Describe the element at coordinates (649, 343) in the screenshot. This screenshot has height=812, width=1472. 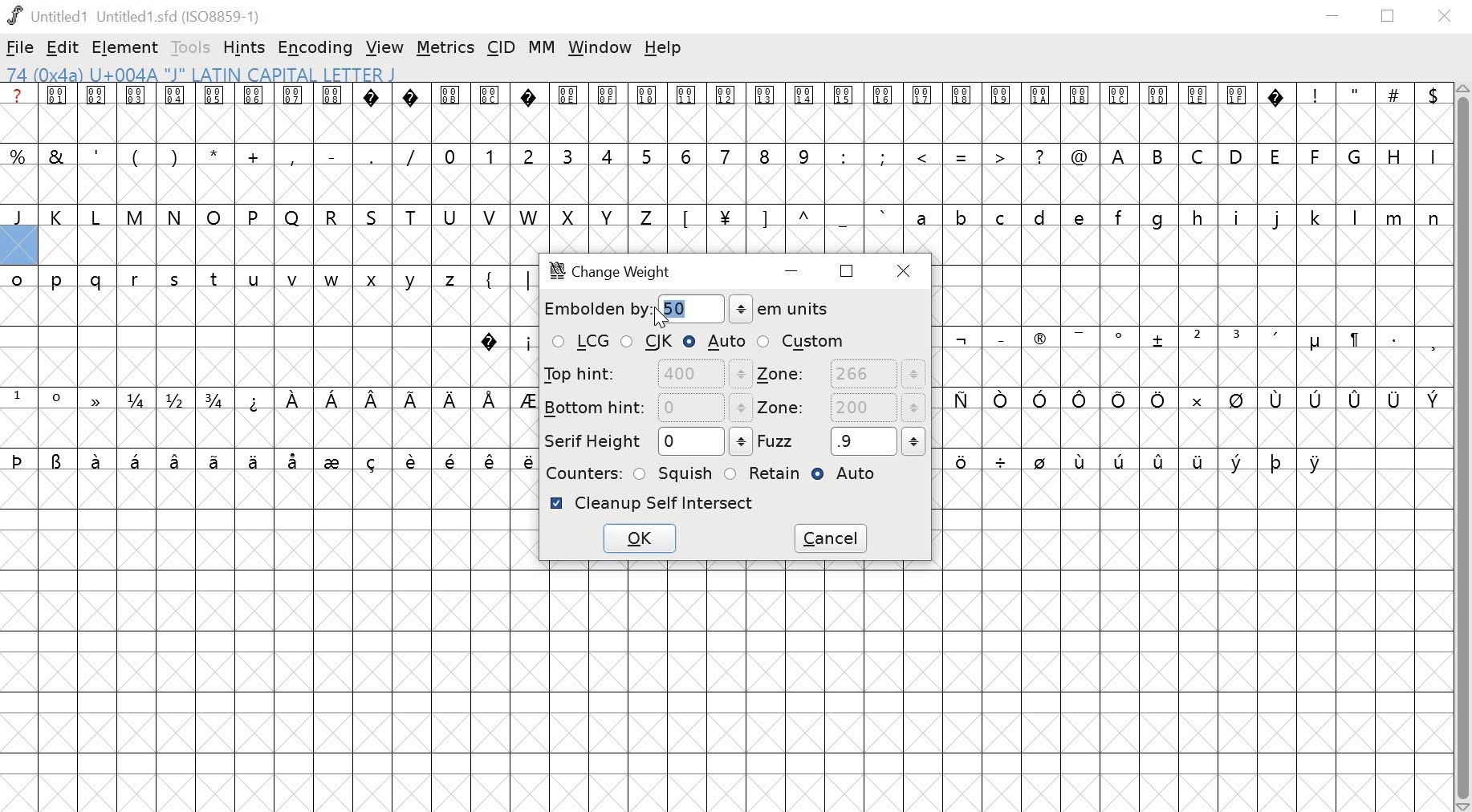
I see `CJK` at that location.